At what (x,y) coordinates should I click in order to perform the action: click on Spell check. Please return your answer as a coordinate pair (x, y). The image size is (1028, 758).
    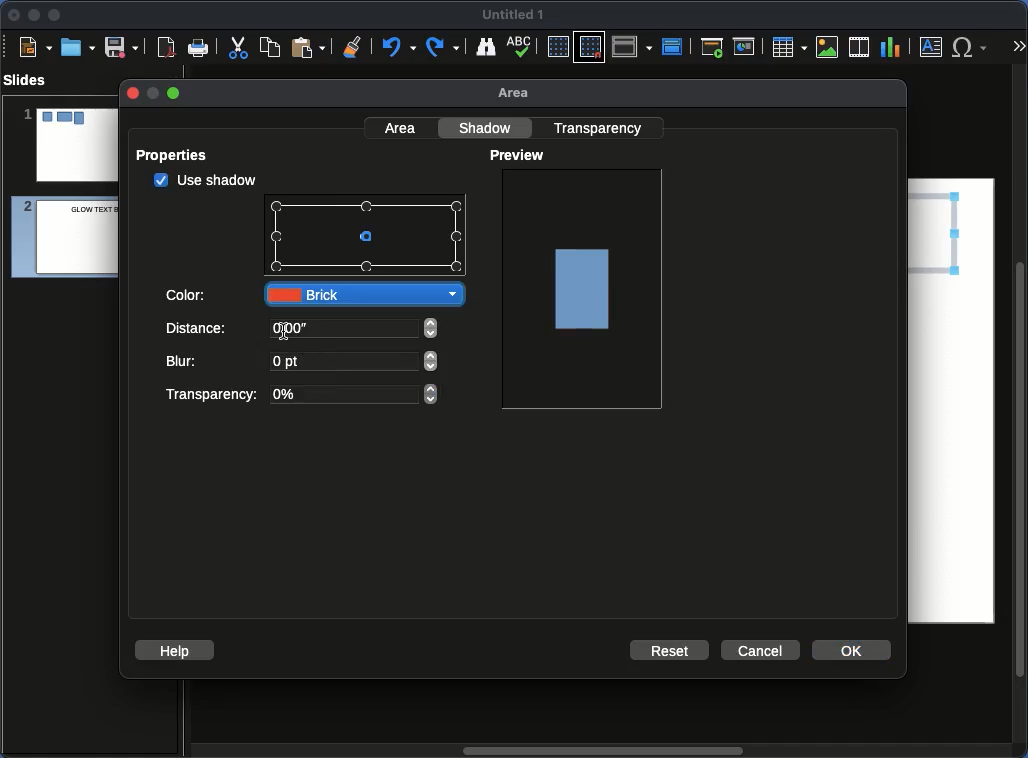
    Looking at the image, I should click on (521, 48).